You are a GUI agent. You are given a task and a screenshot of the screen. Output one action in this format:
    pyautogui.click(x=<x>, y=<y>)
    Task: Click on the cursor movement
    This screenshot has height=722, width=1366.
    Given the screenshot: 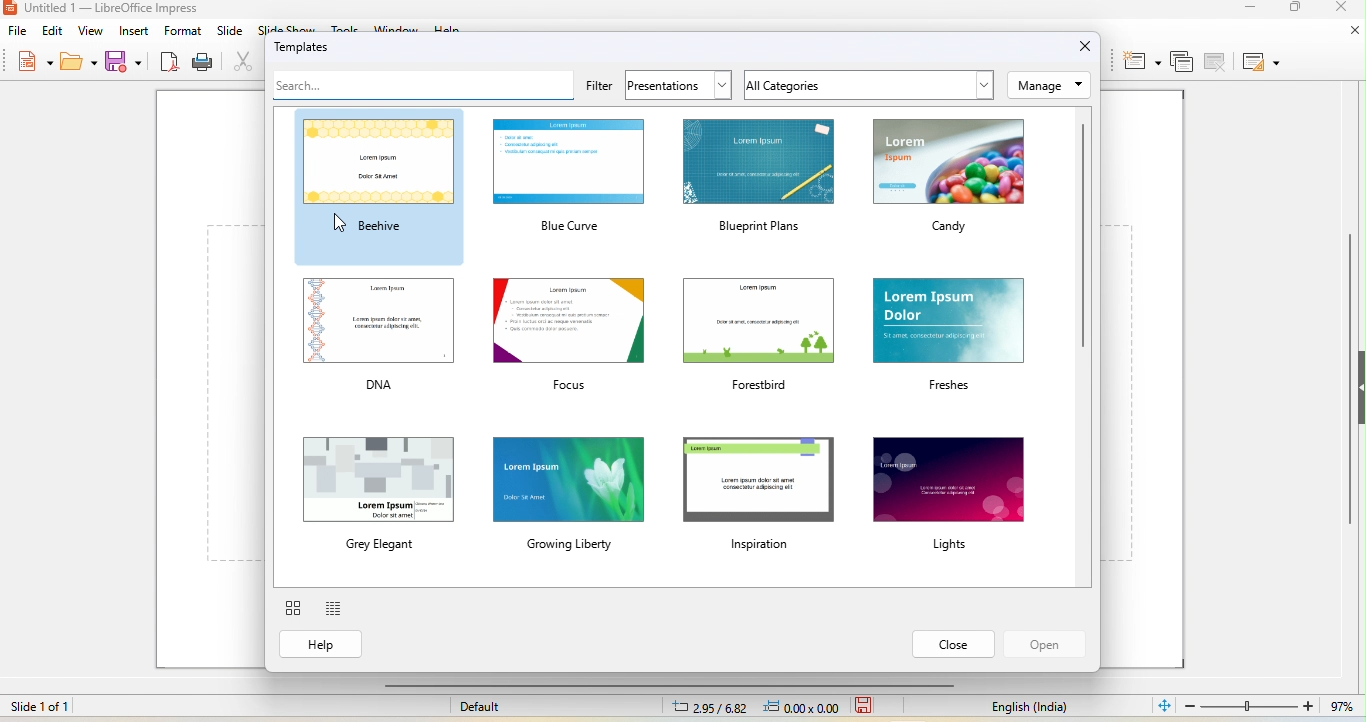 What is the action you would take?
    pyautogui.click(x=340, y=223)
    